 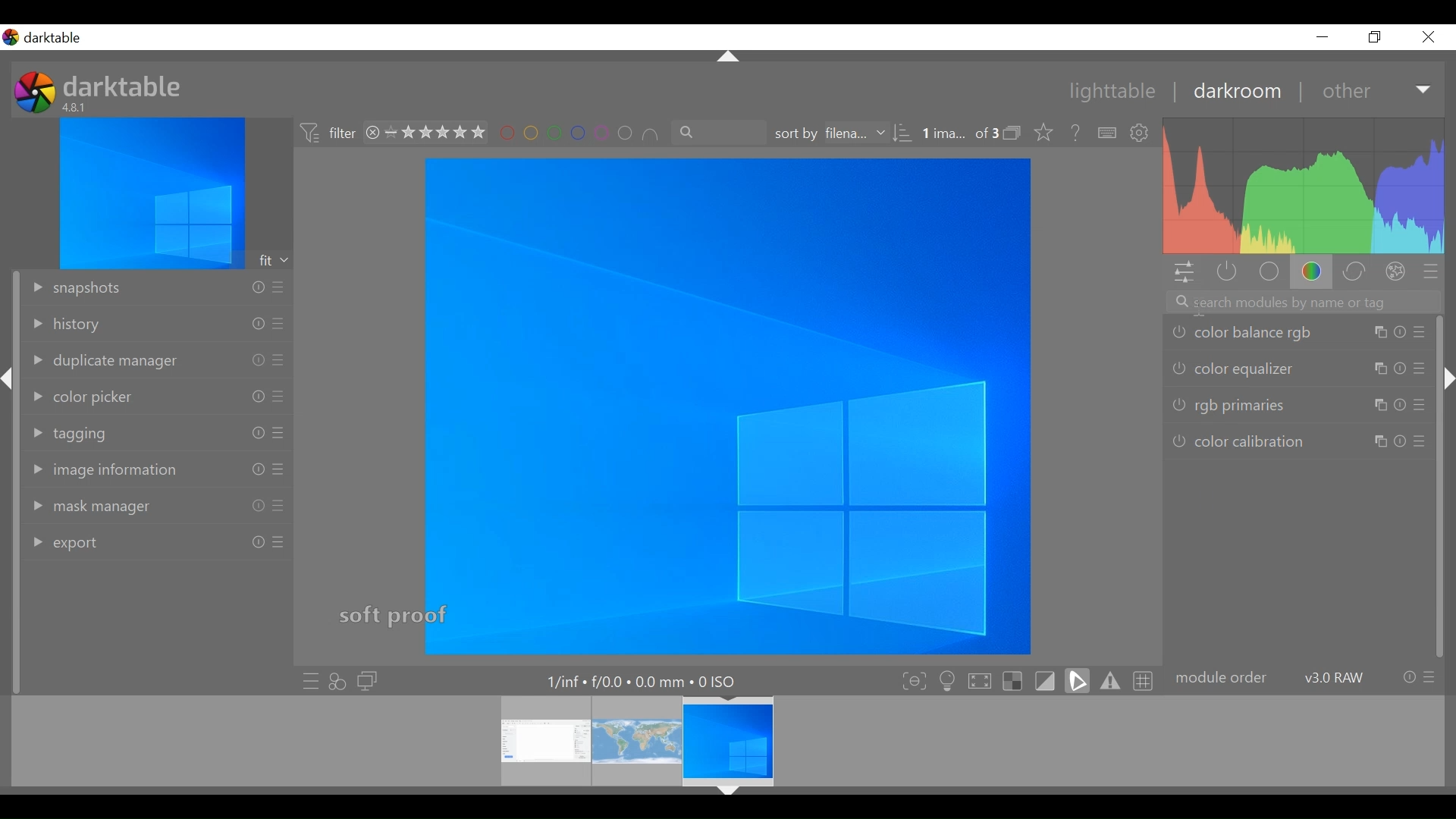 I want to click on info, so click(x=1399, y=368).